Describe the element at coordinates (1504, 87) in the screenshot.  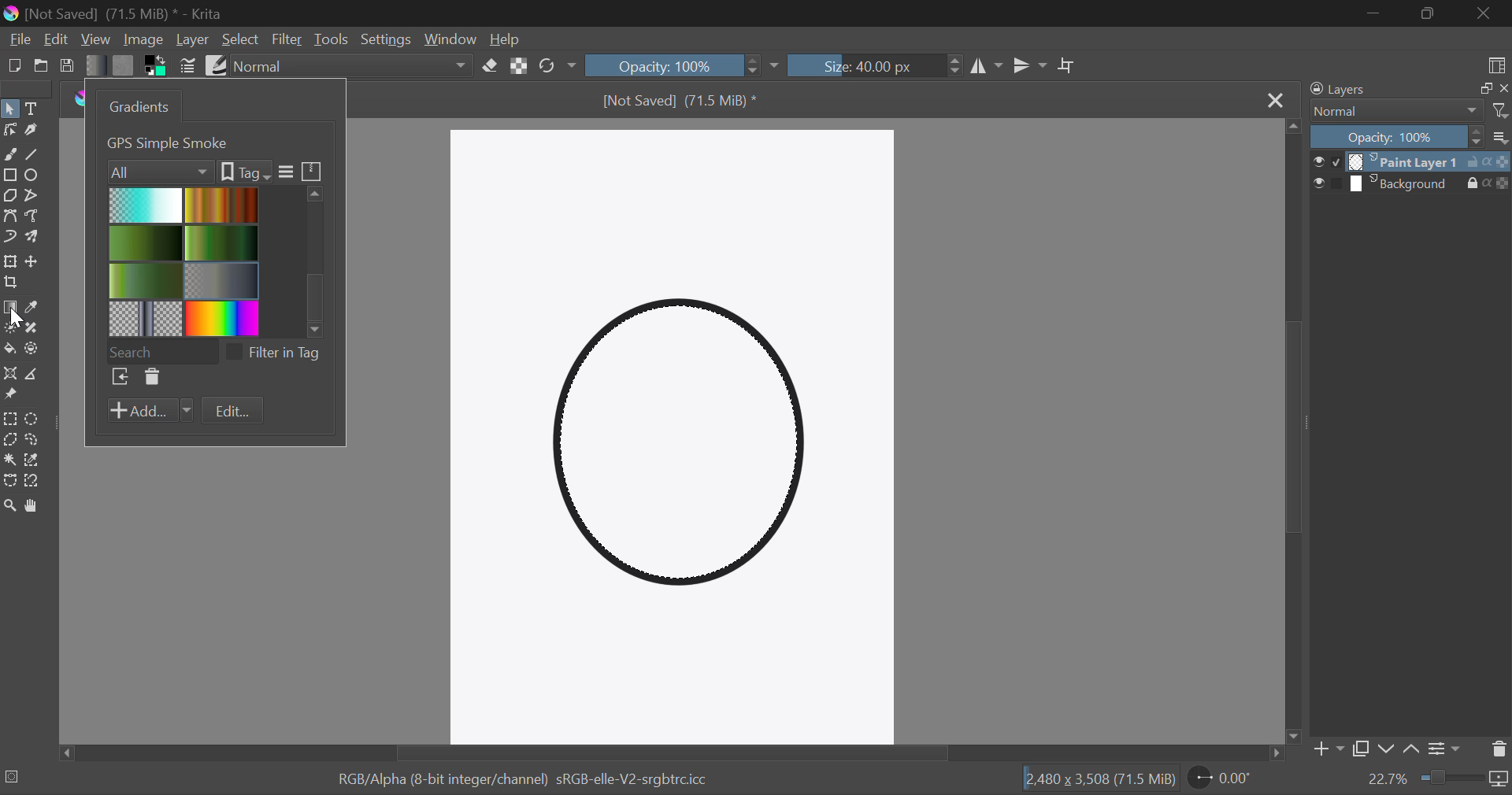
I see `close` at that location.